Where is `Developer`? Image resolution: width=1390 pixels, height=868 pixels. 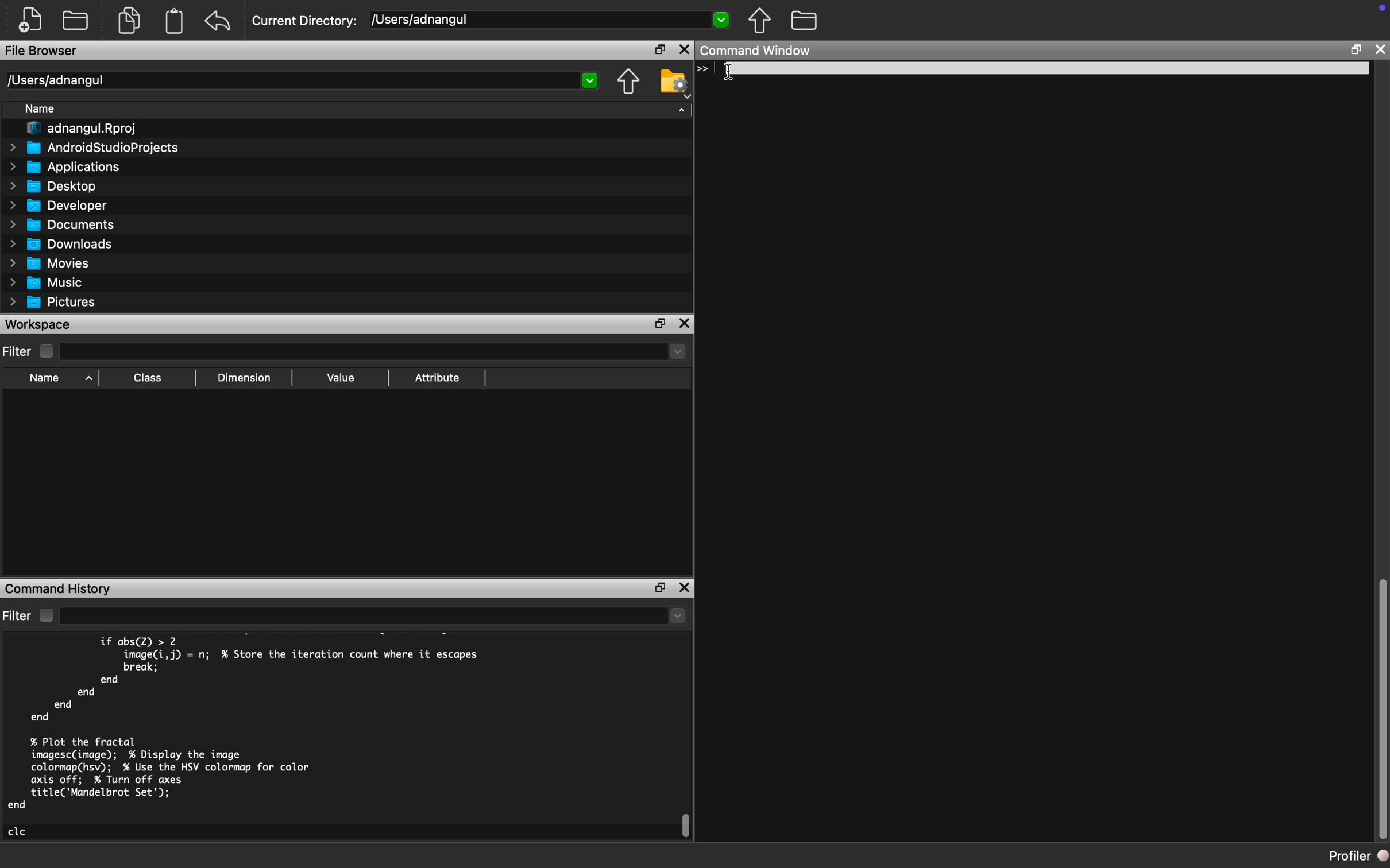 Developer is located at coordinates (61, 205).